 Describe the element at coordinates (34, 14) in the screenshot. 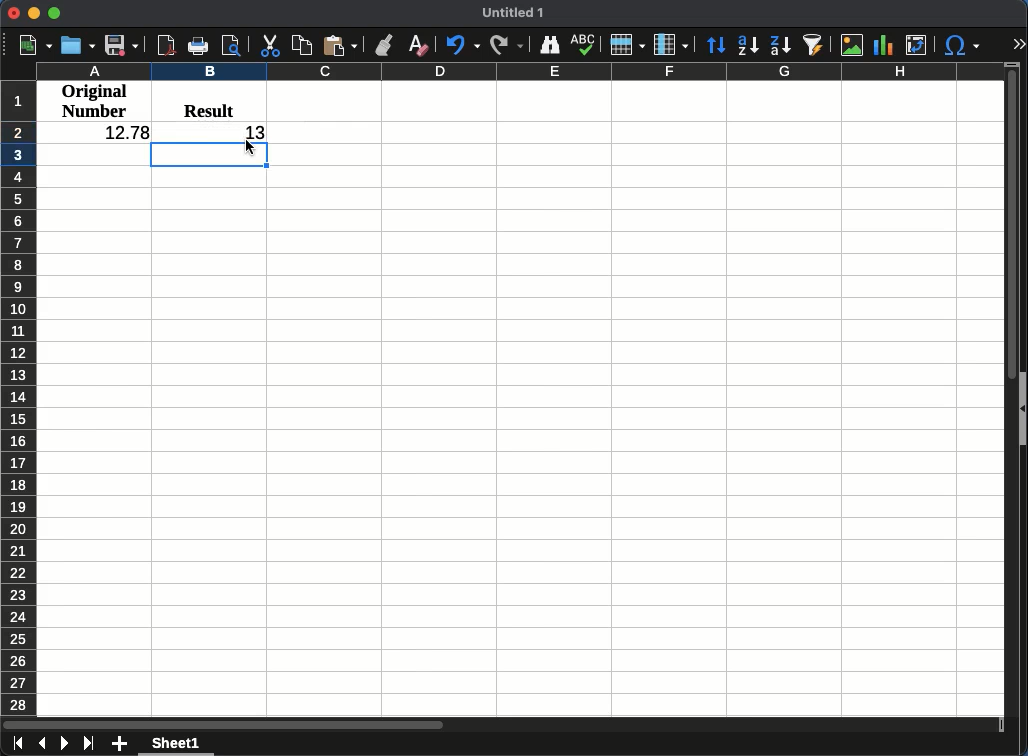

I see `Minimize` at that location.